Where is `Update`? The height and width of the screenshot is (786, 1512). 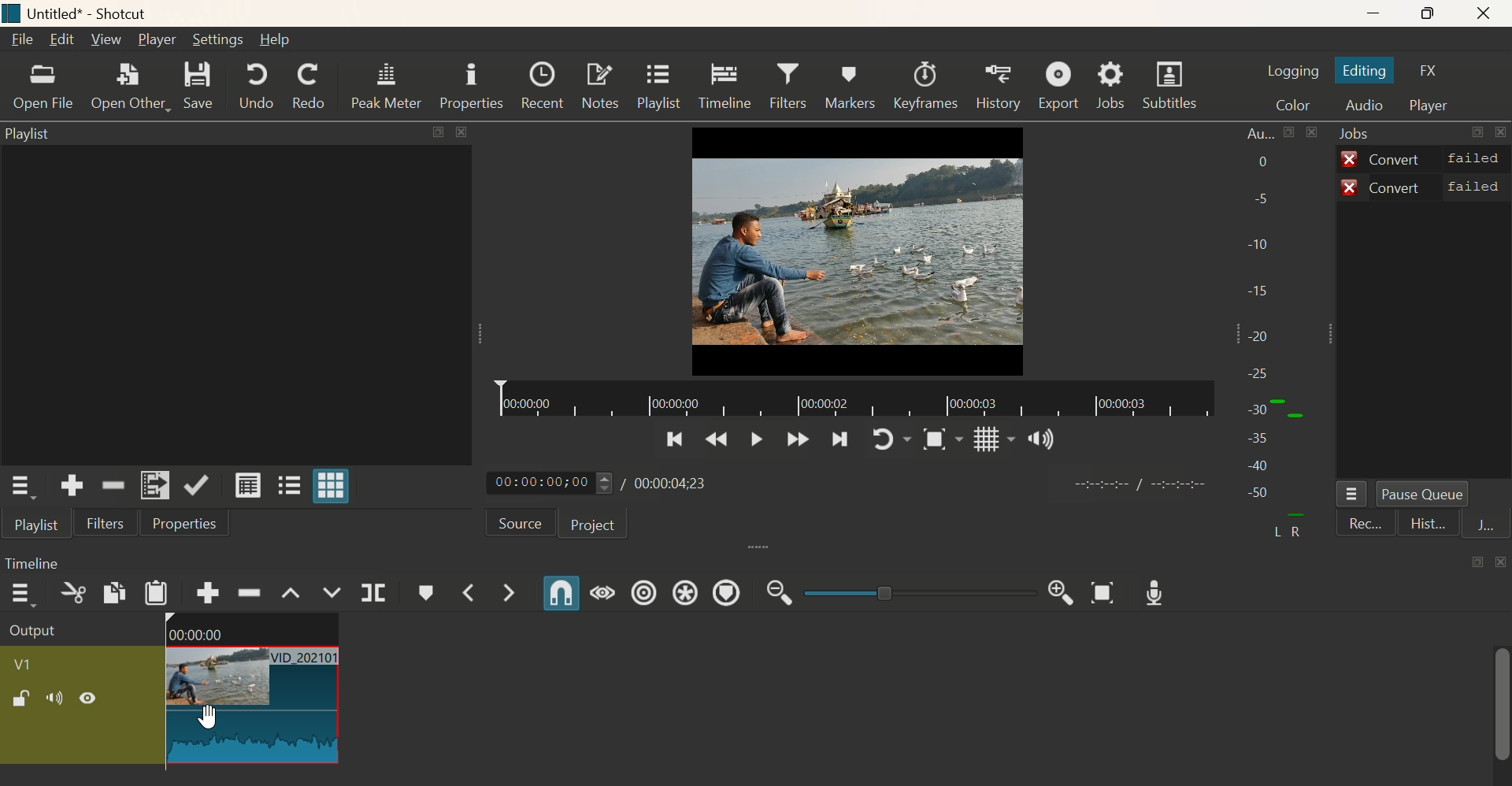 Update is located at coordinates (199, 486).